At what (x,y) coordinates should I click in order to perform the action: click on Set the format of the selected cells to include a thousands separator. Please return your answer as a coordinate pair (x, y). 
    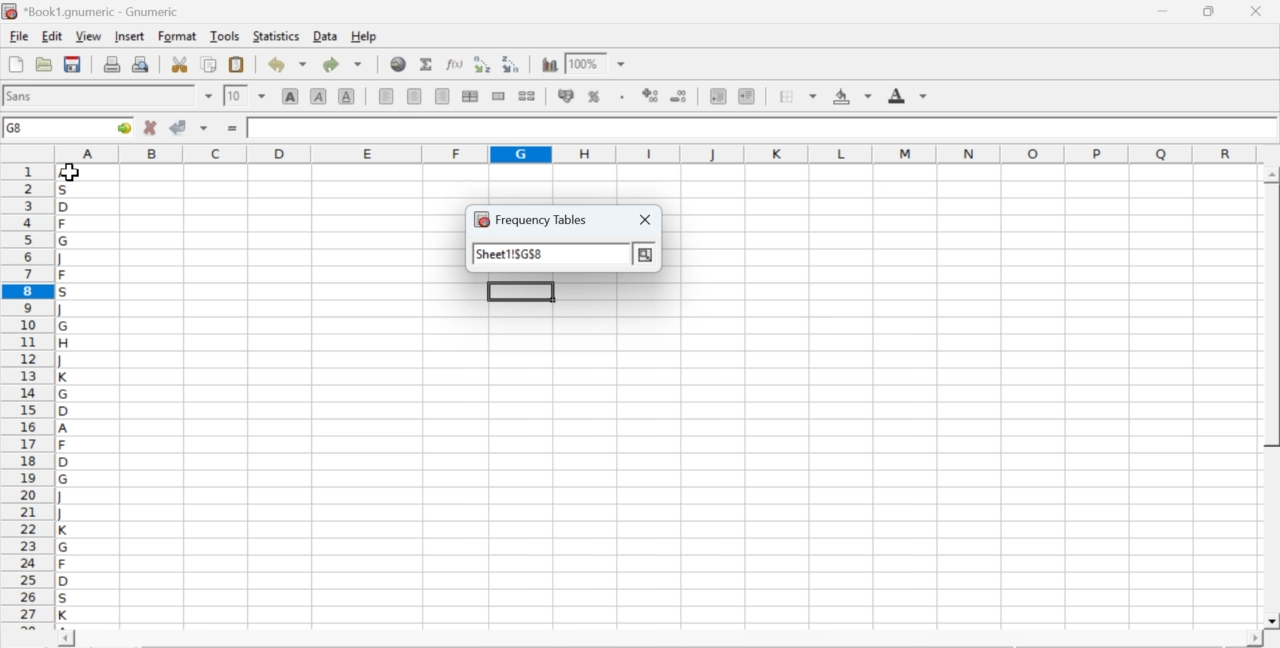
    Looking at the image, I should click on (620, 97).